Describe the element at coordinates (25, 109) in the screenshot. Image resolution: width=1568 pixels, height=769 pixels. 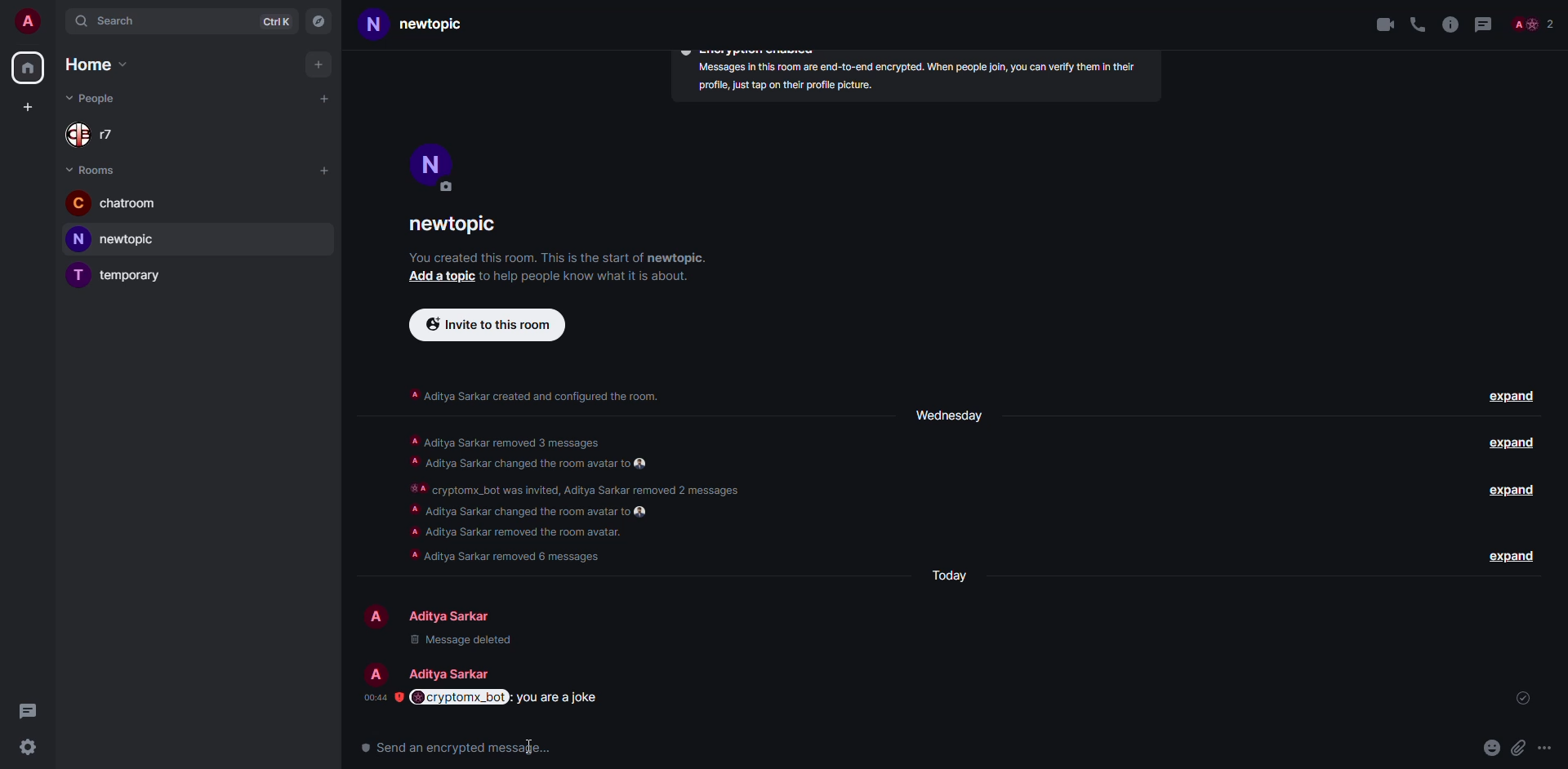
I see `add` at that location.